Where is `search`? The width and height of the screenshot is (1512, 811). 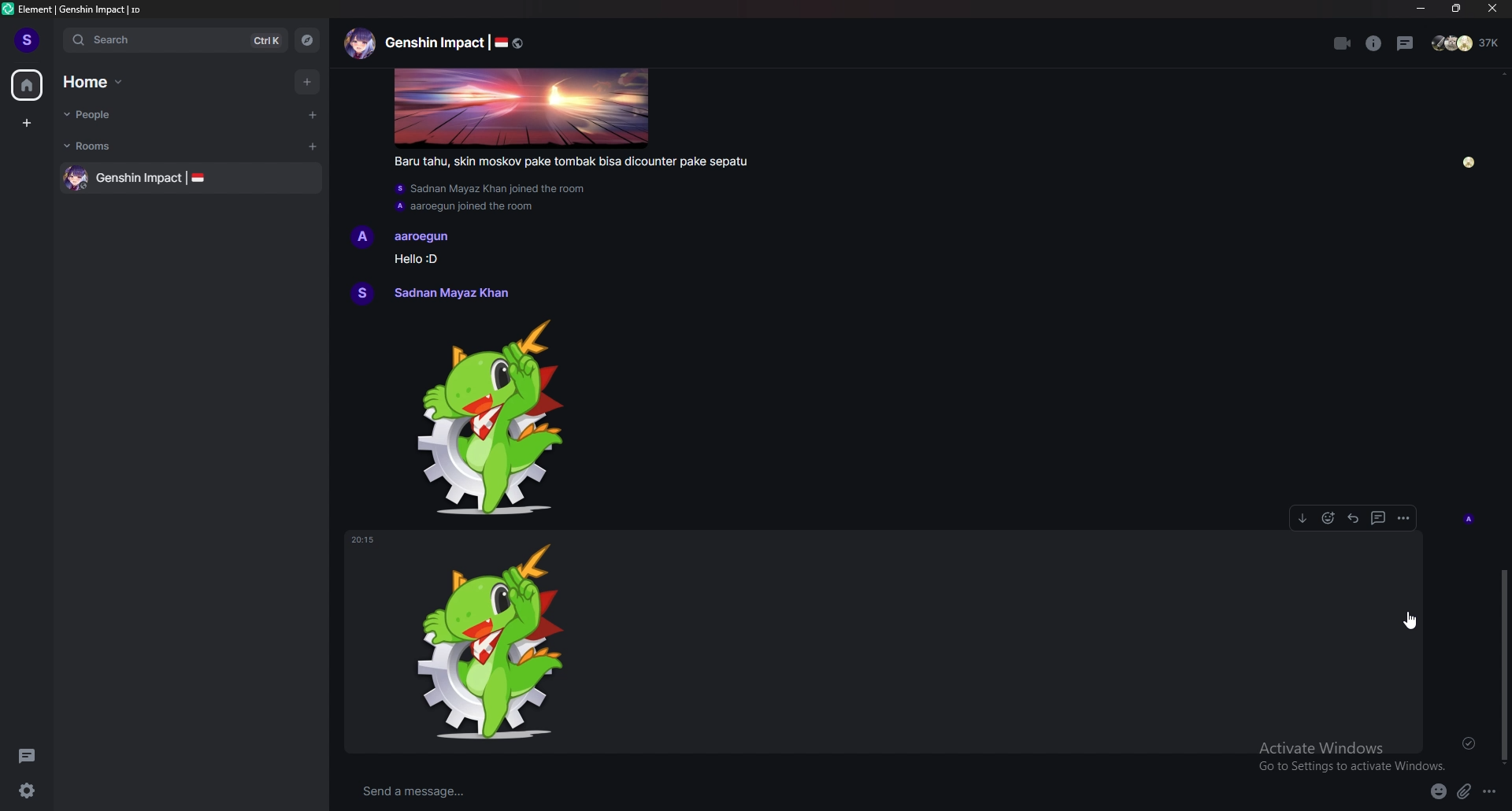
search is located at coordinates (172, 39).